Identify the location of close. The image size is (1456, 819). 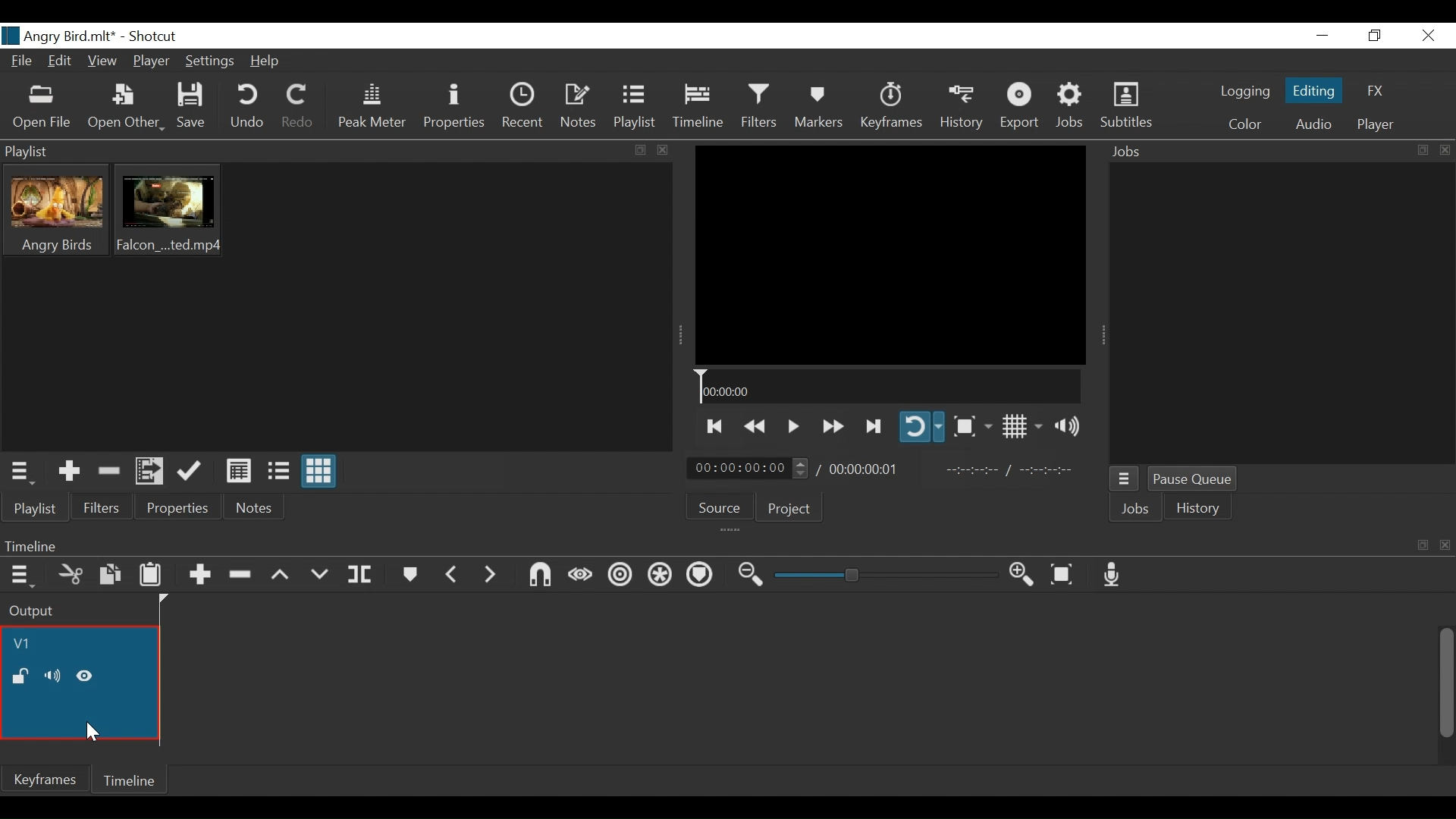
(1446, 150).